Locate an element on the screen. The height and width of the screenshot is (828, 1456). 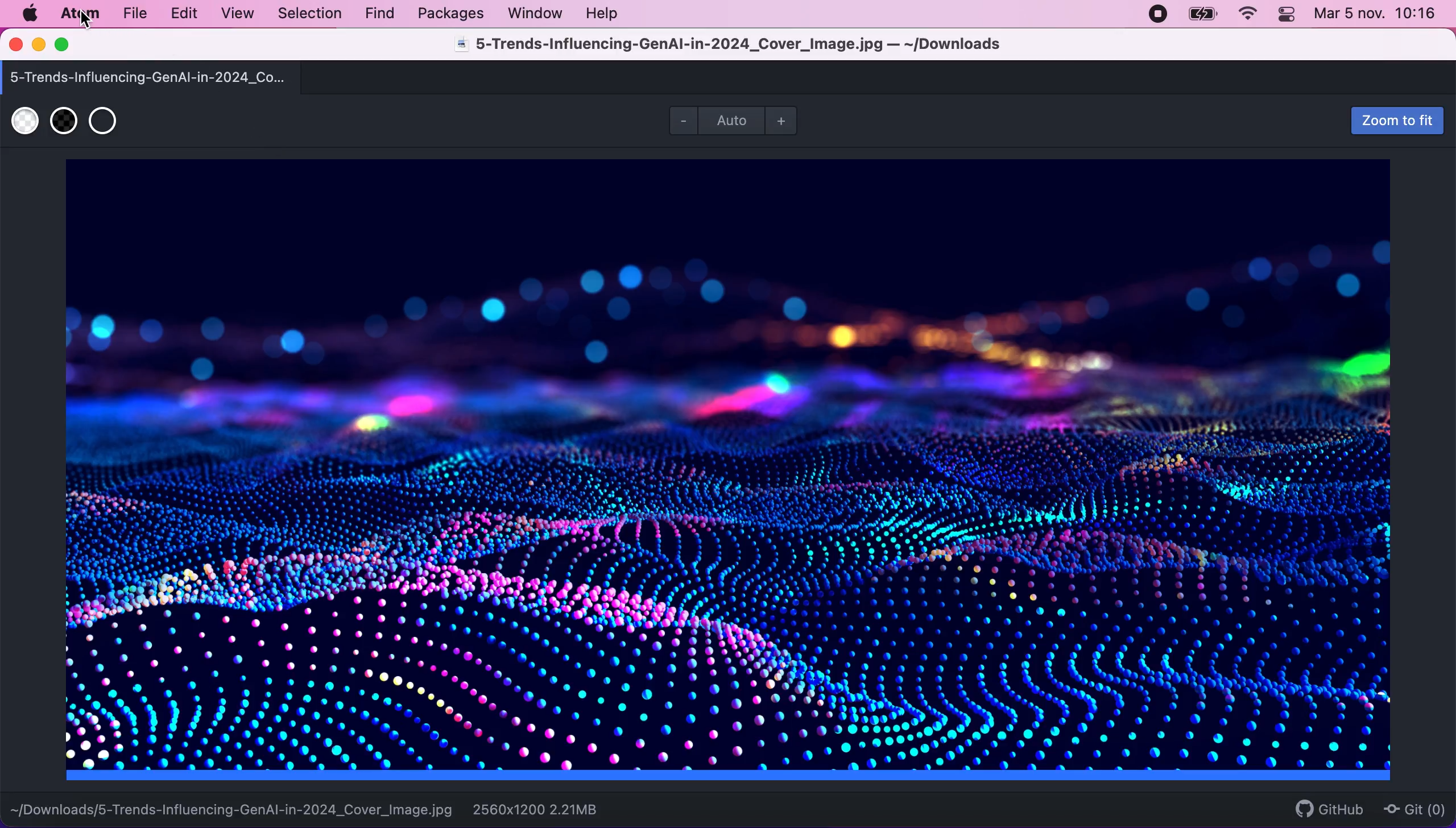
github is located at coordinates (1324, 809).